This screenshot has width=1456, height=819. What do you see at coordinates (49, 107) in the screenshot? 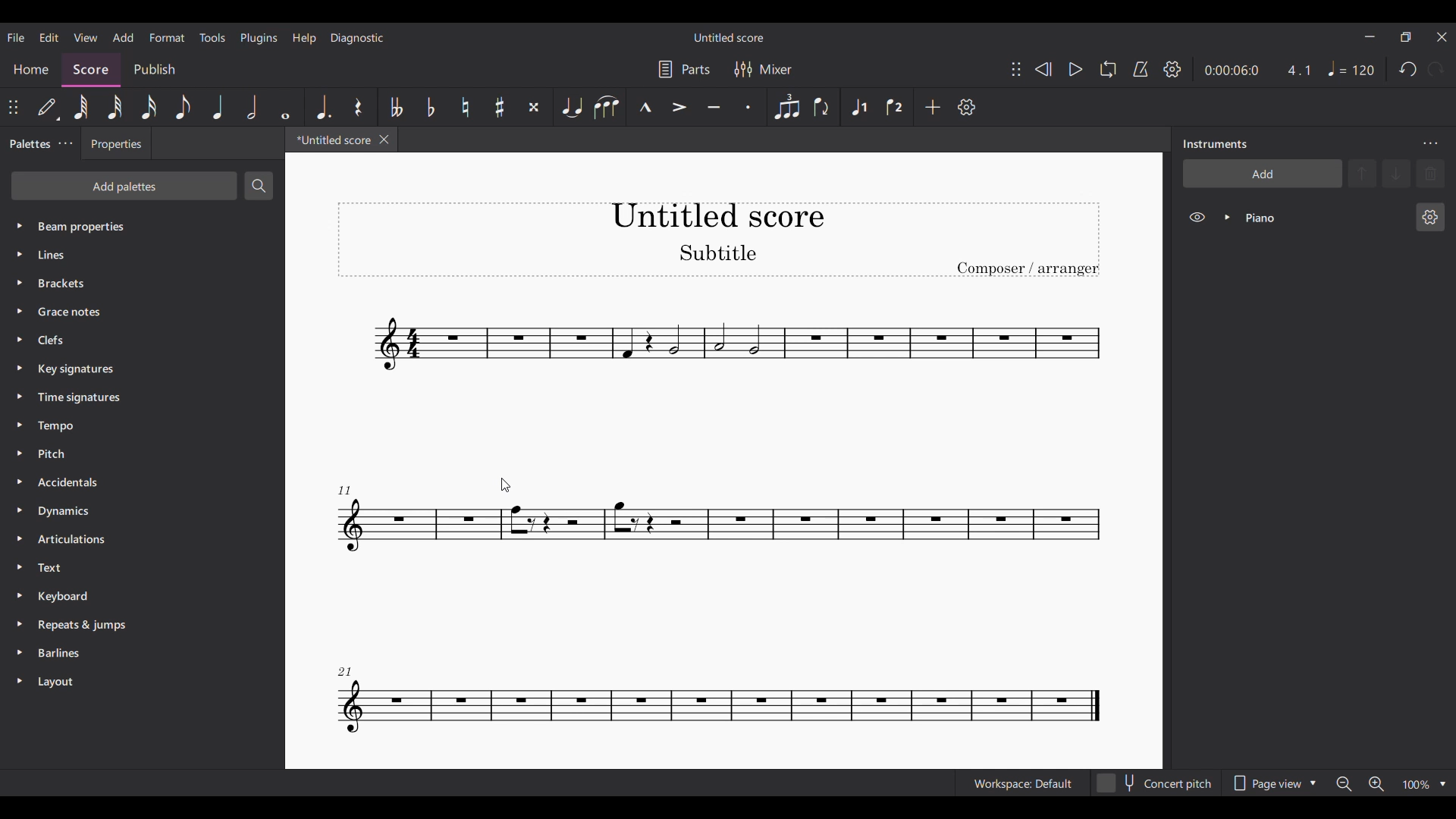
I see `Default` at bounding box center [49, 107].